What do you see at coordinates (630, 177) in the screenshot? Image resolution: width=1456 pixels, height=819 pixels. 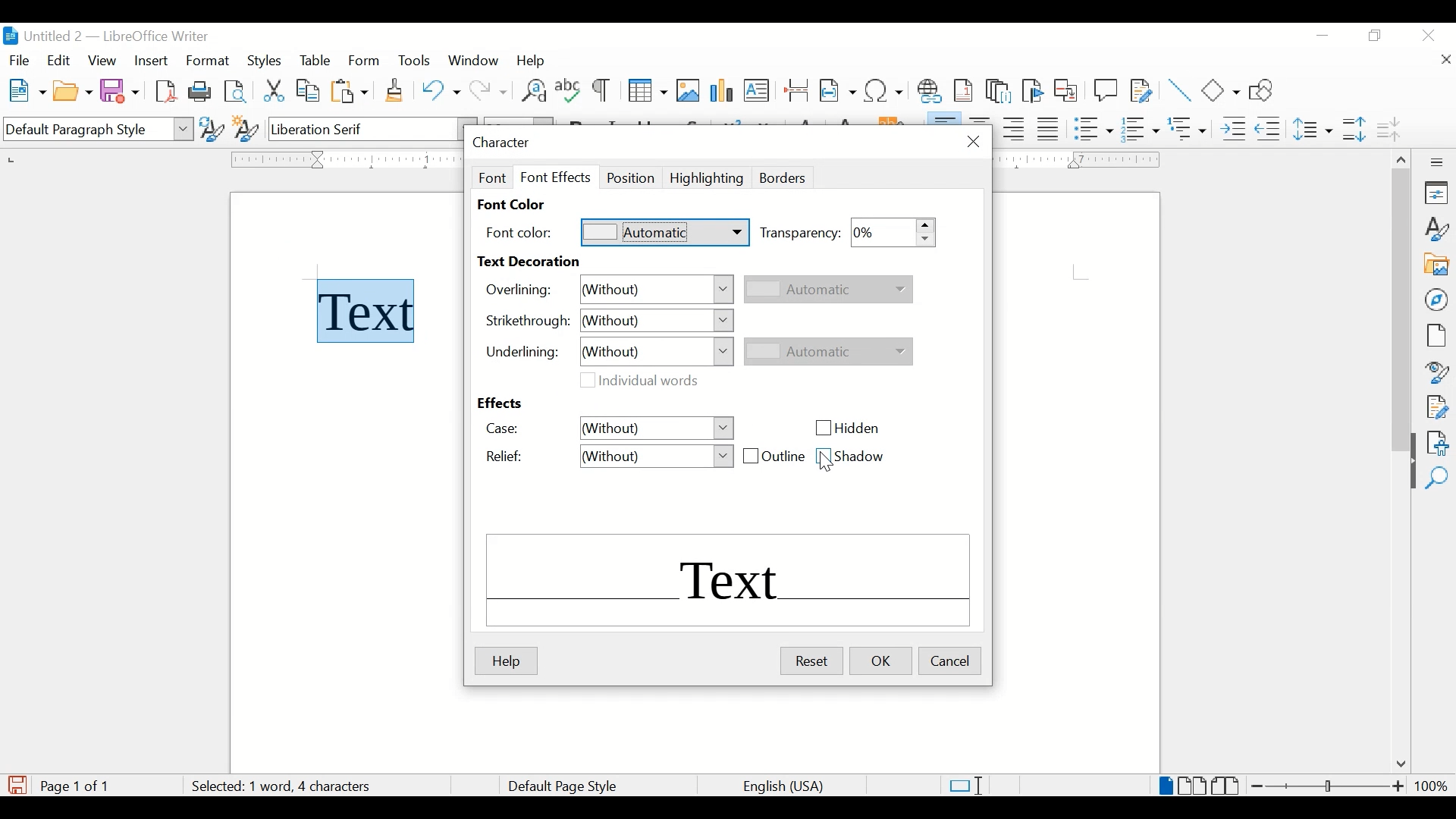 I see `position` at bounding box center [630, 177].